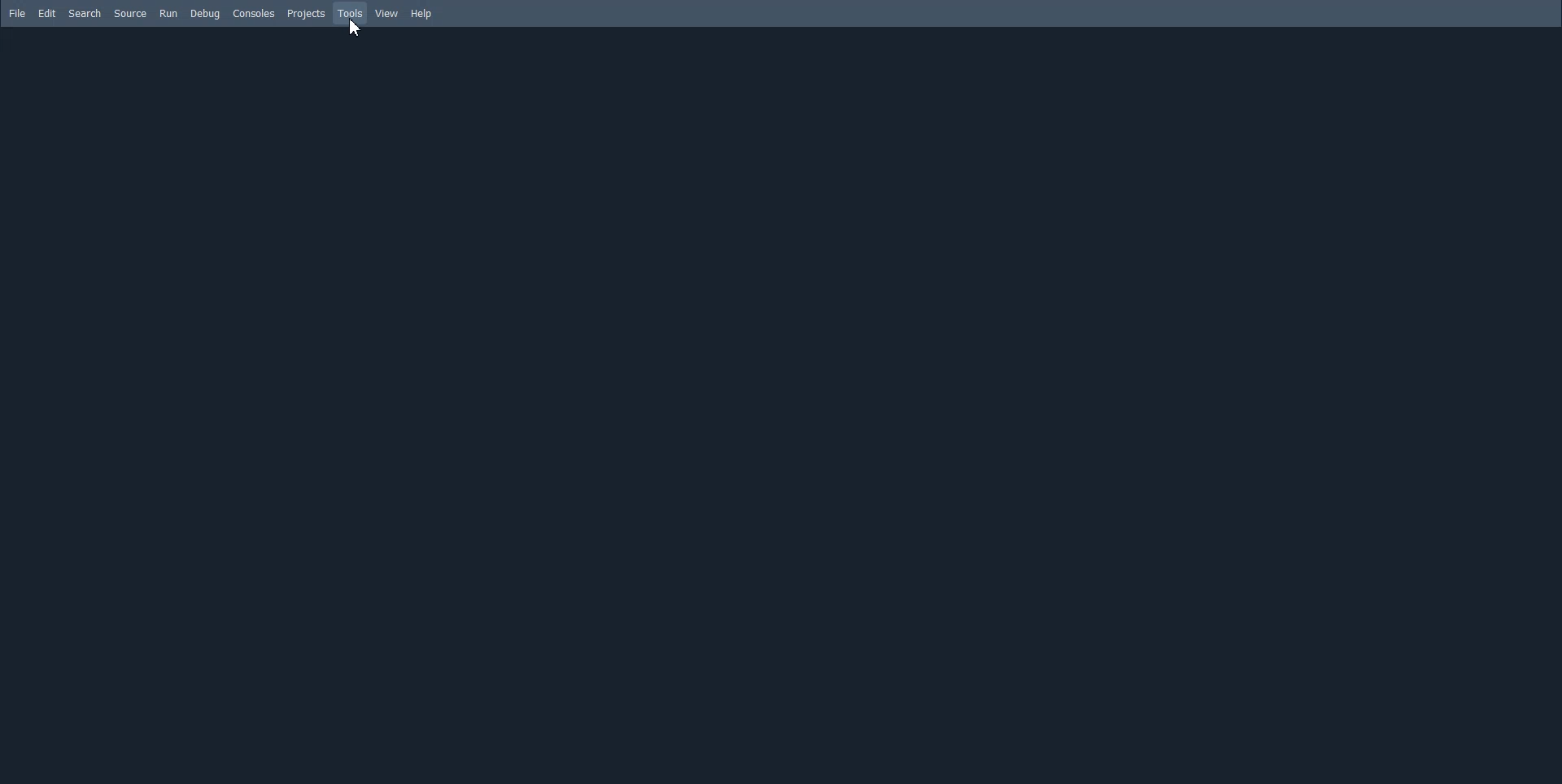 The height and width of the screenshot is (784, 1562). I want to click on Edit, so click(46, 14).